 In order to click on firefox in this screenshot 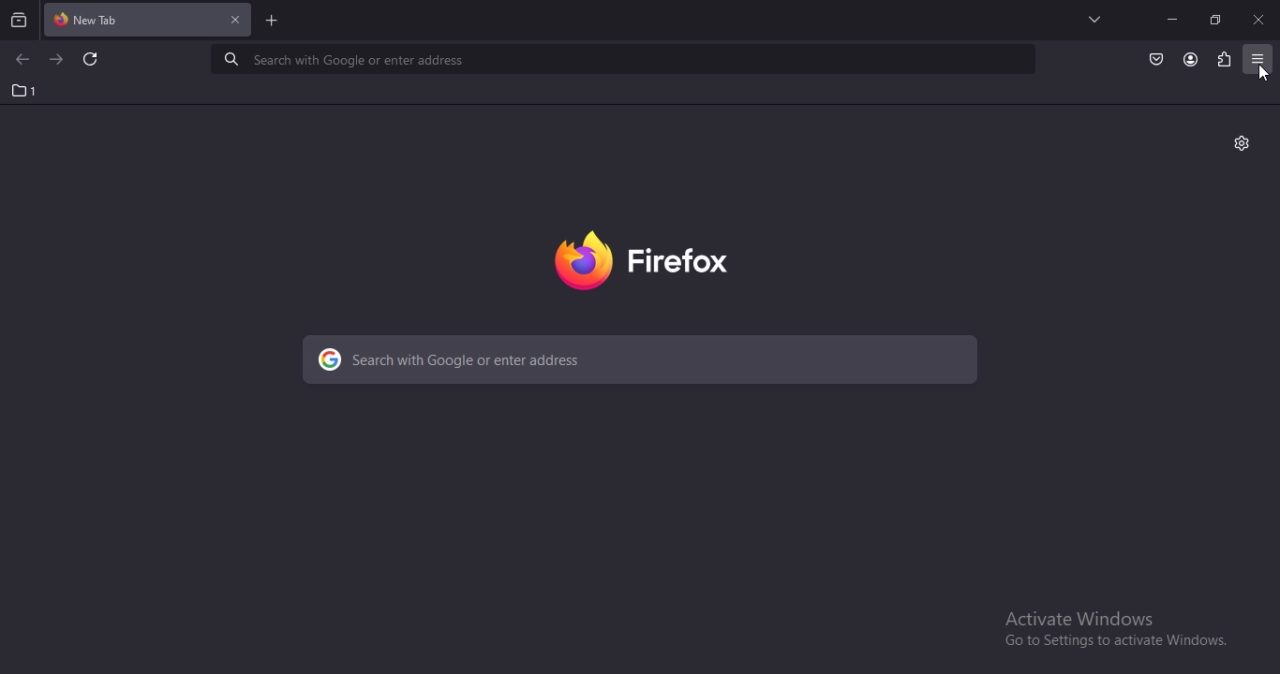, I will do `click(642, 261)`.